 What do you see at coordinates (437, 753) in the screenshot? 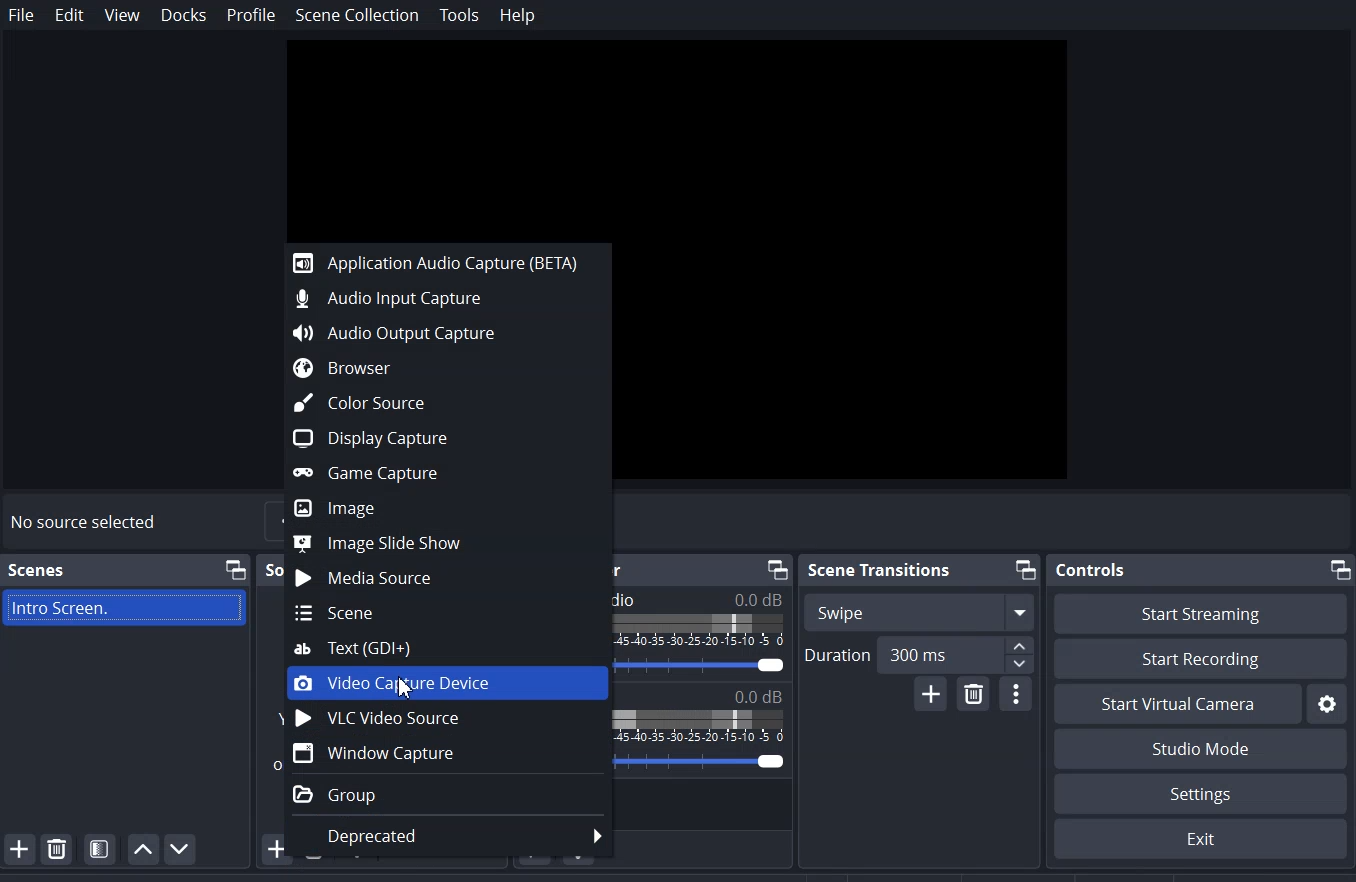
I see `Window Capture` at bounding box center [437, 753].